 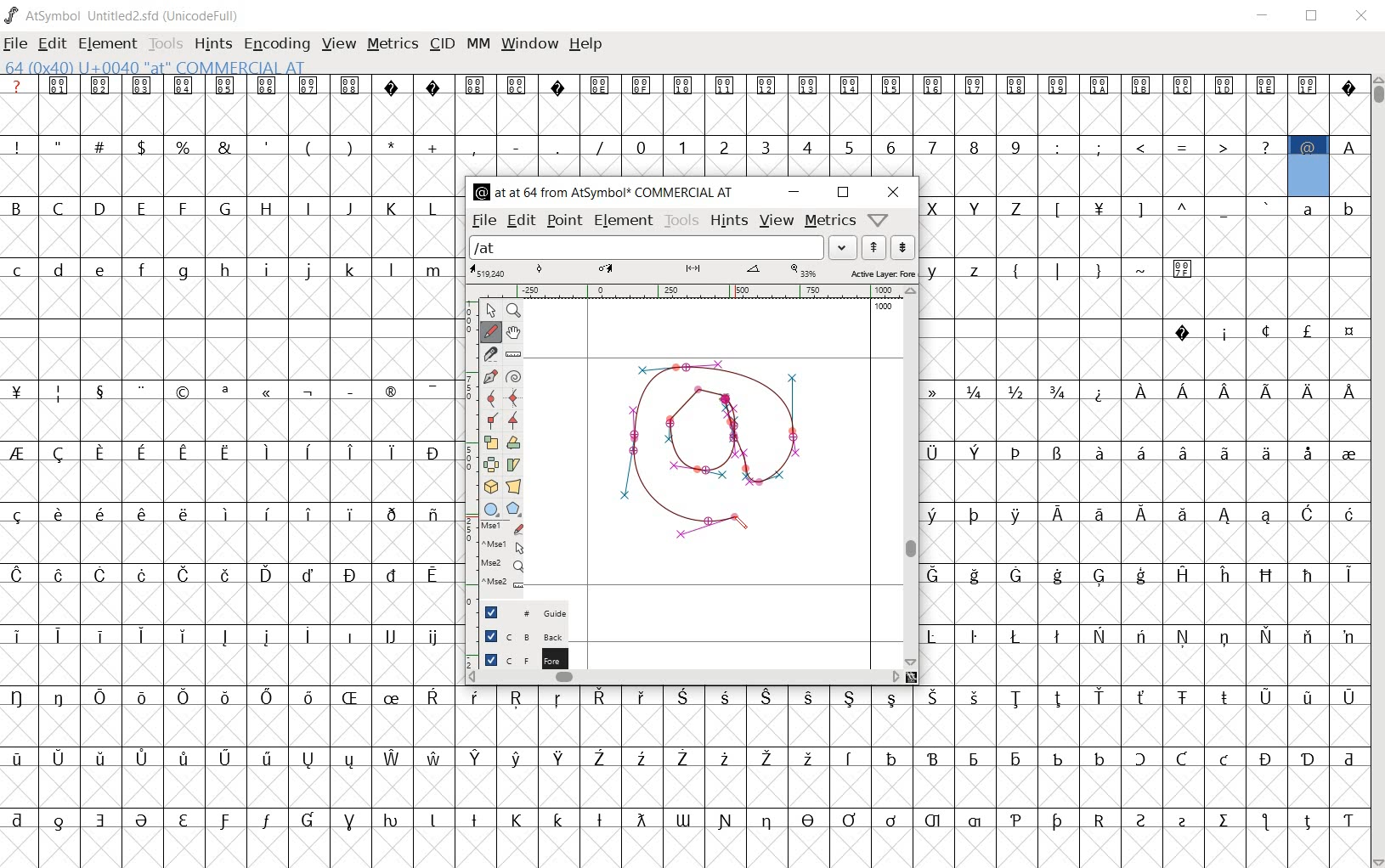 I want to click on ELEMENT, so click(x=108, y=45).